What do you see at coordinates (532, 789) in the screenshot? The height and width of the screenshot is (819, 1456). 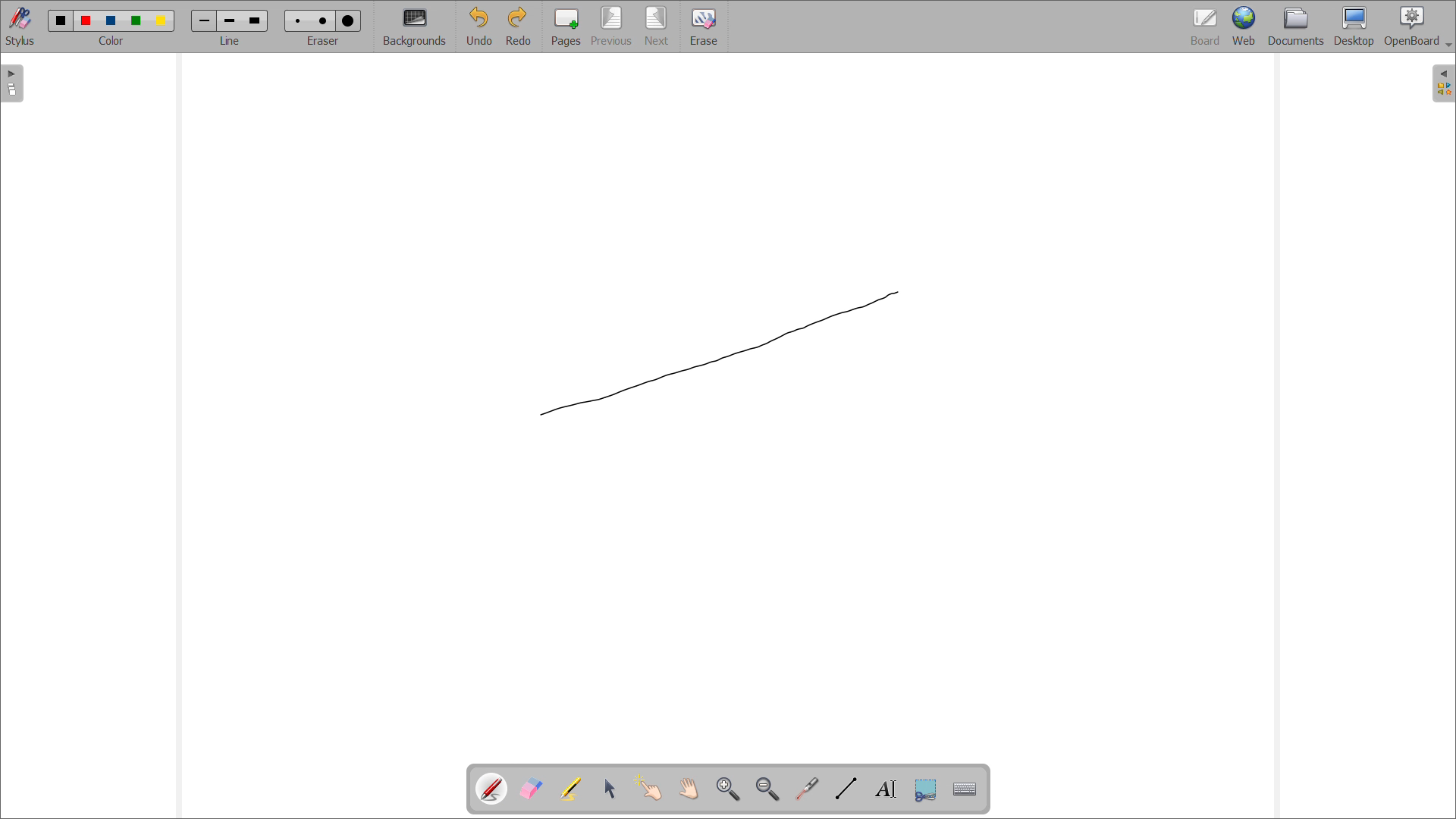 I see `erase annotations` at bounding box center [532, 789].